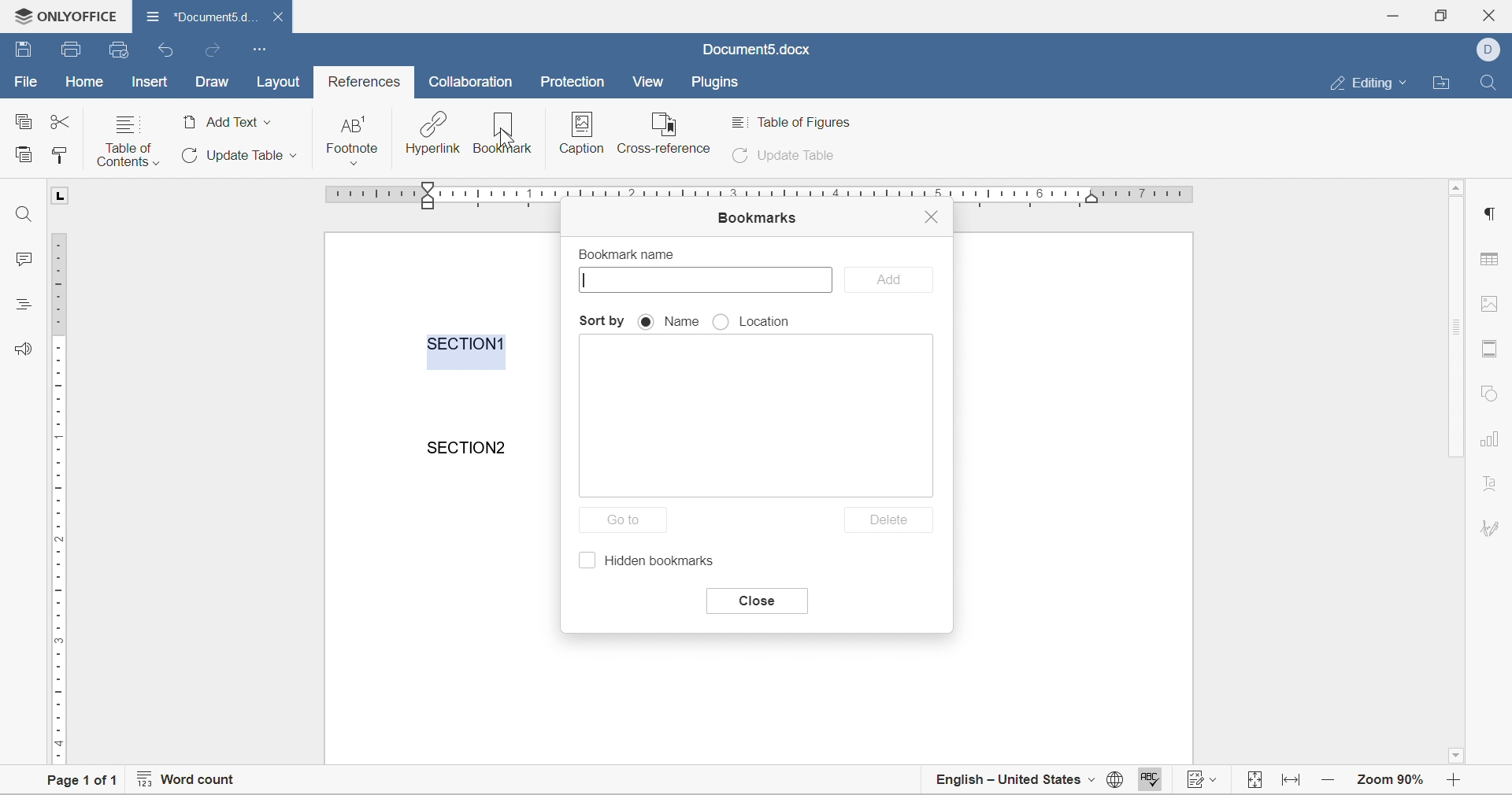 The width and height of the screenshot is (1512, 795). Describe the element at coordinates (21, 302) in the screenshot. I see `headings` at that location.